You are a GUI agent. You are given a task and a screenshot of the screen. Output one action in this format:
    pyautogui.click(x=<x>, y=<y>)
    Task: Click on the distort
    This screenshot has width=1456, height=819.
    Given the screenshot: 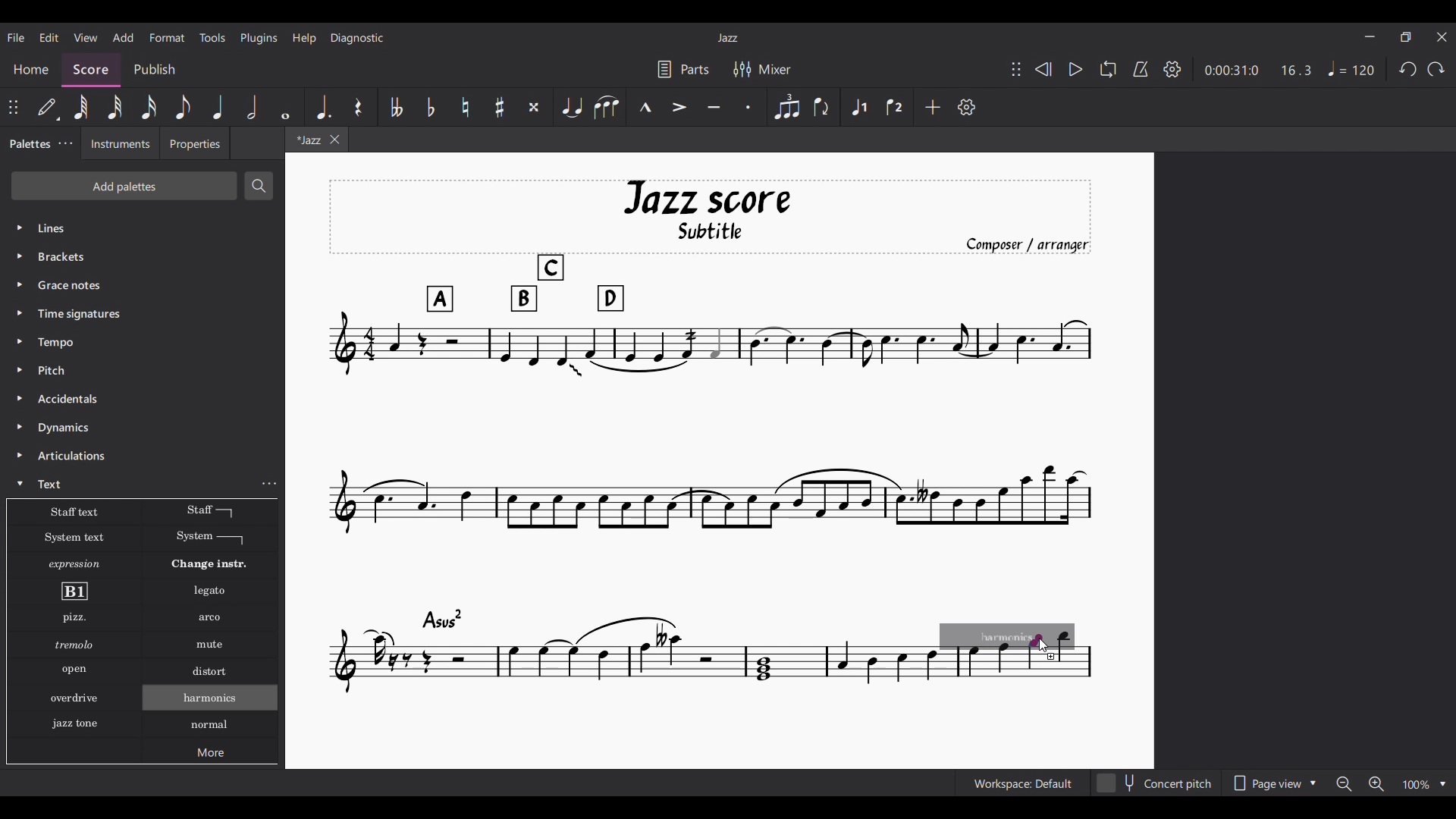 What is the action you would take?
    pyautogui.click(x=209, y=671)
    